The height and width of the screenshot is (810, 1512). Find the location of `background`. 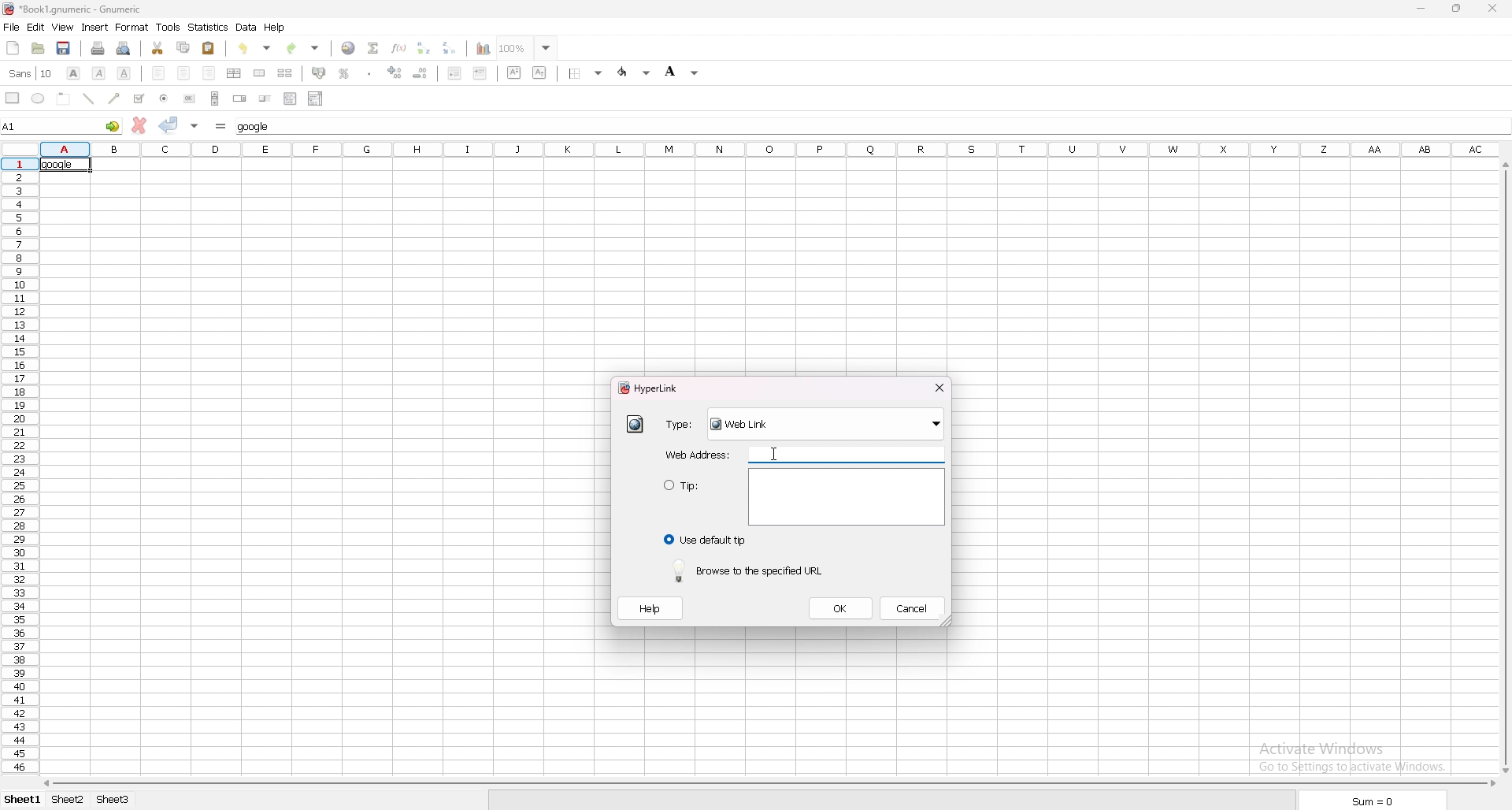

background is located at coordinates (684, 72).